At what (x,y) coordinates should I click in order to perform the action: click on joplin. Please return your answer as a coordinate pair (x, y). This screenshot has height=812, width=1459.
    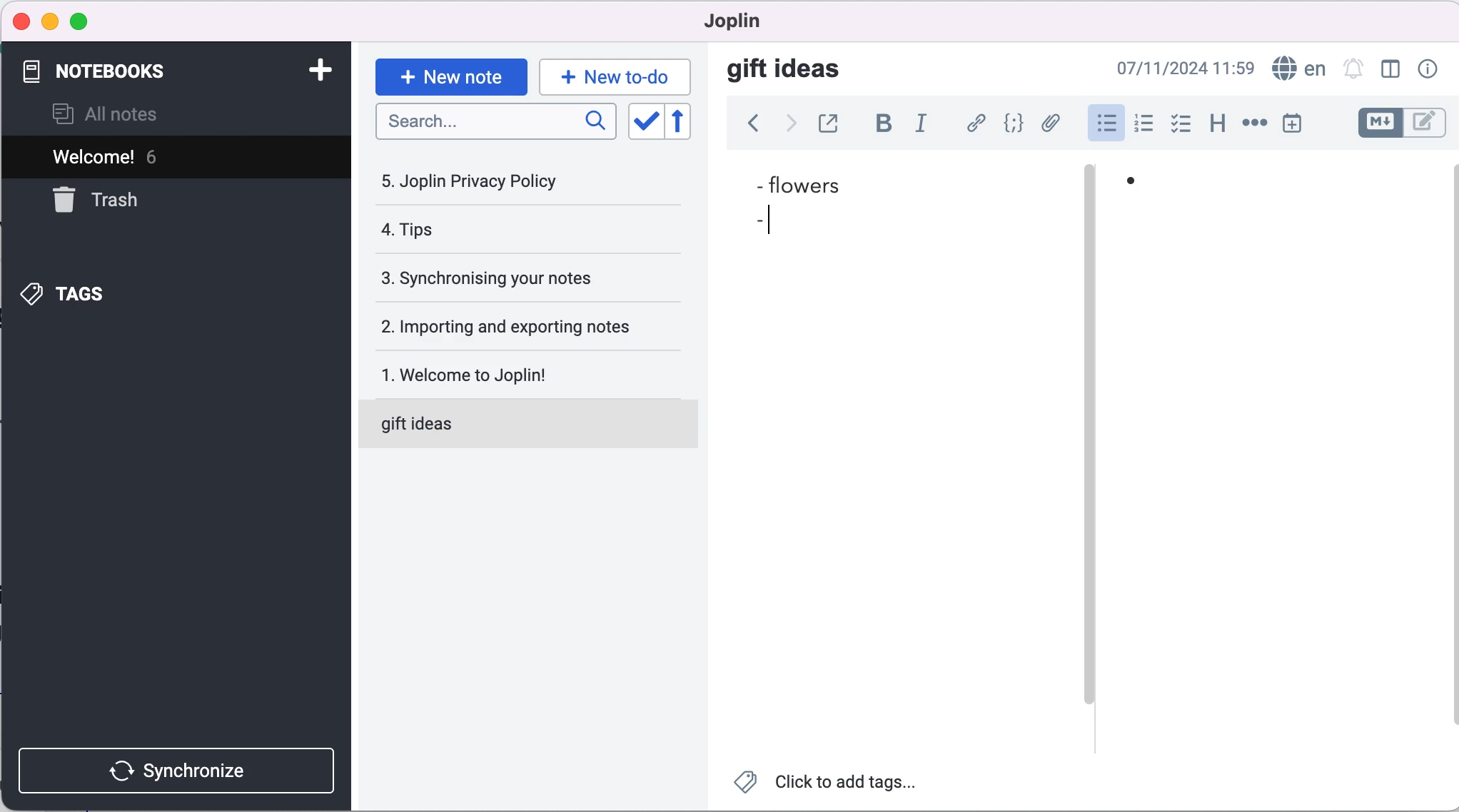
    Looking at the image, I should click on (732, 21).